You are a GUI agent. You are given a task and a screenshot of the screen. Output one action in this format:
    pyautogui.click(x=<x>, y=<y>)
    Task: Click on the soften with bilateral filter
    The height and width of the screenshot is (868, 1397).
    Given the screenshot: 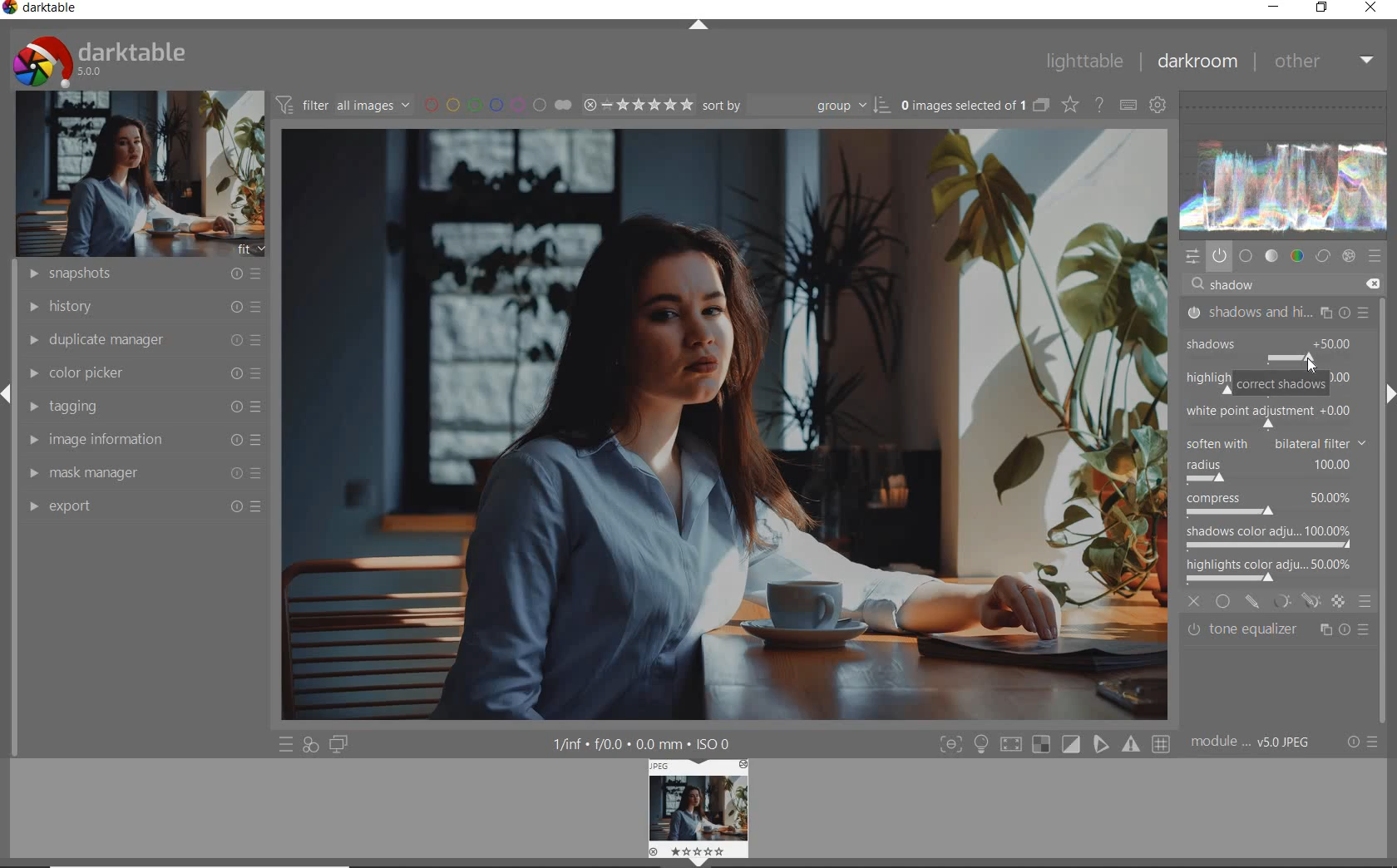 What is the action you would take?
    pyautogui.click(x=1275, y=441)
    